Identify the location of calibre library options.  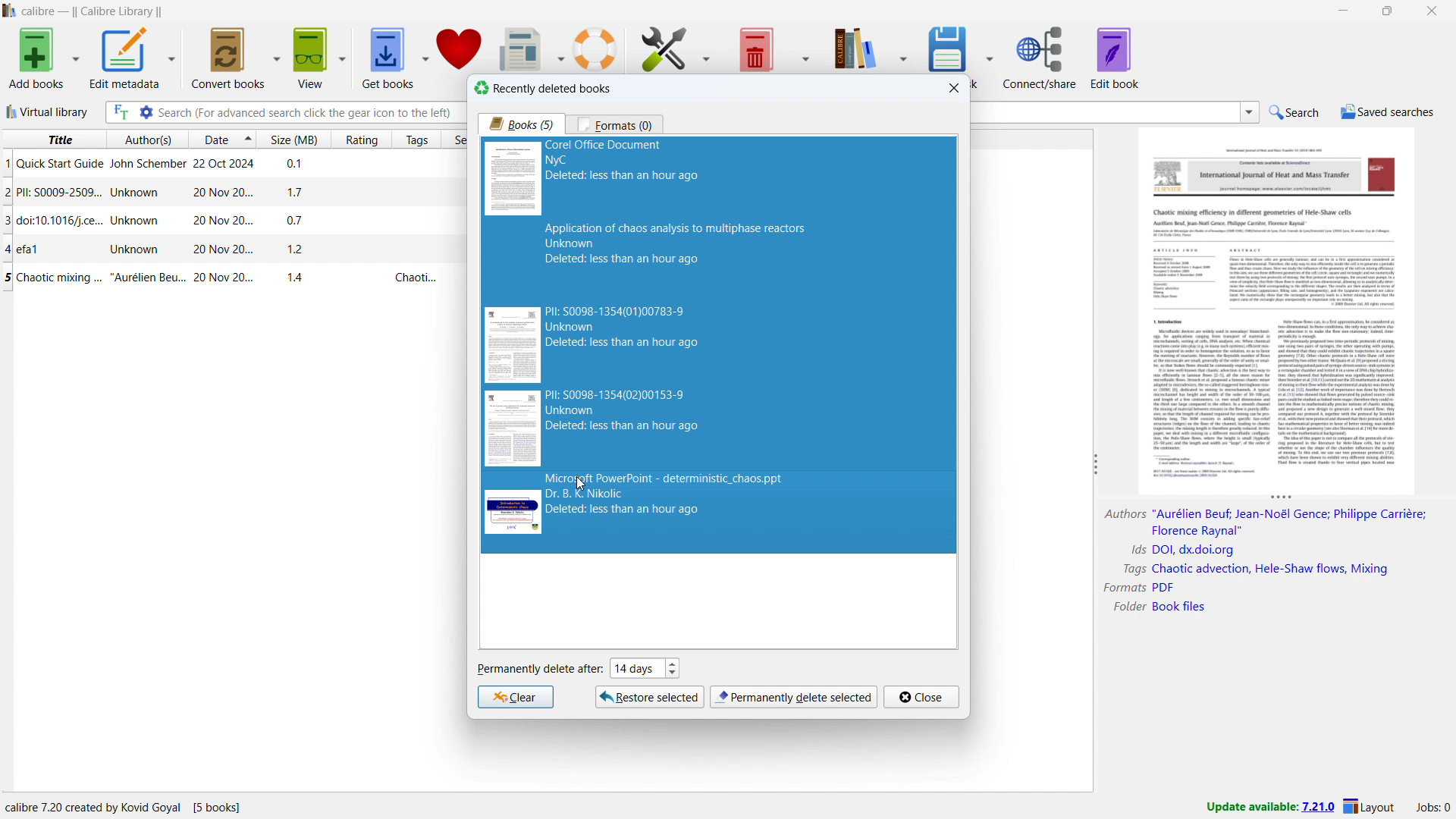
(907, 47).